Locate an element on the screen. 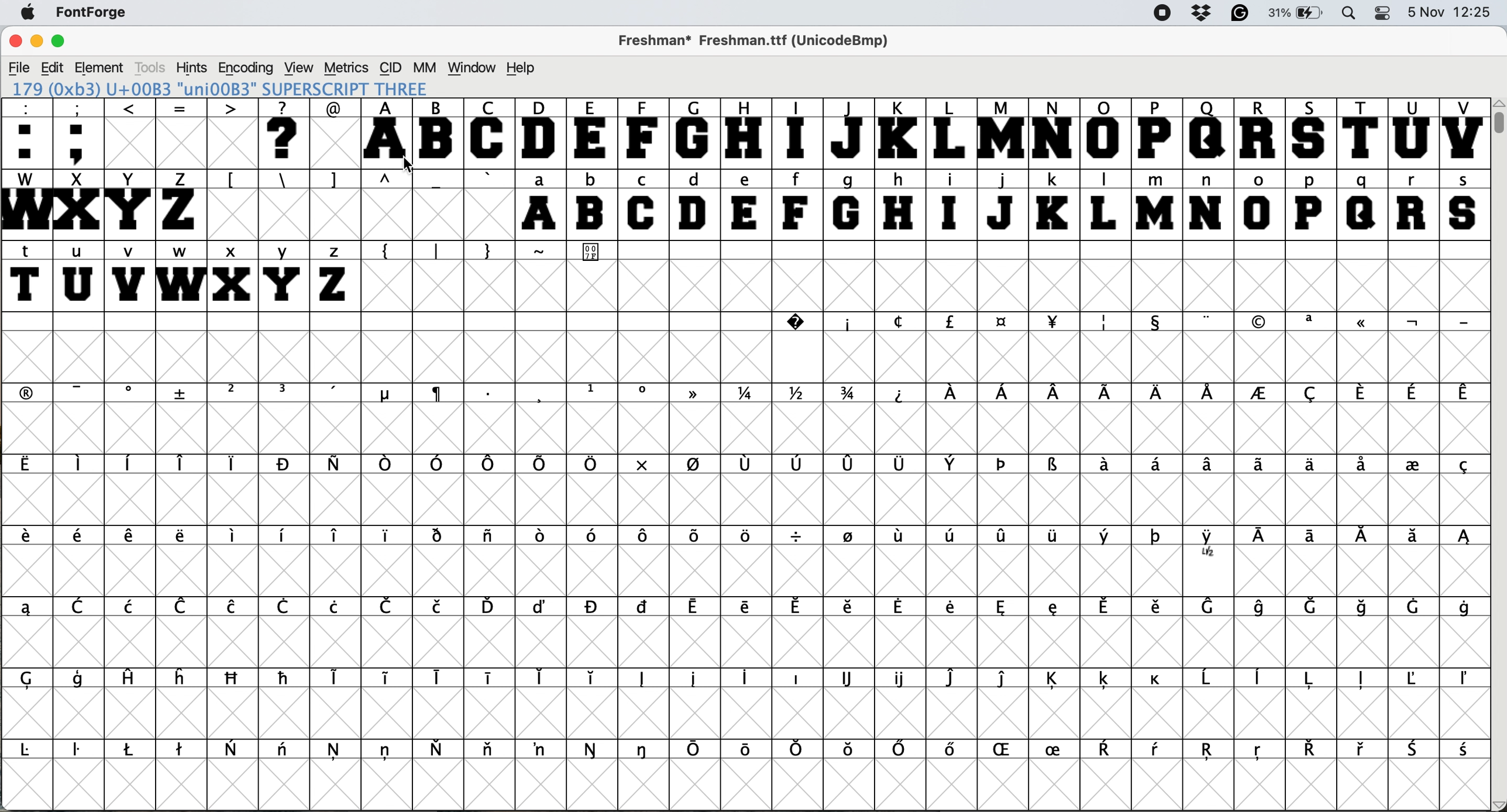  symbol is located at coordinates (440, 677).